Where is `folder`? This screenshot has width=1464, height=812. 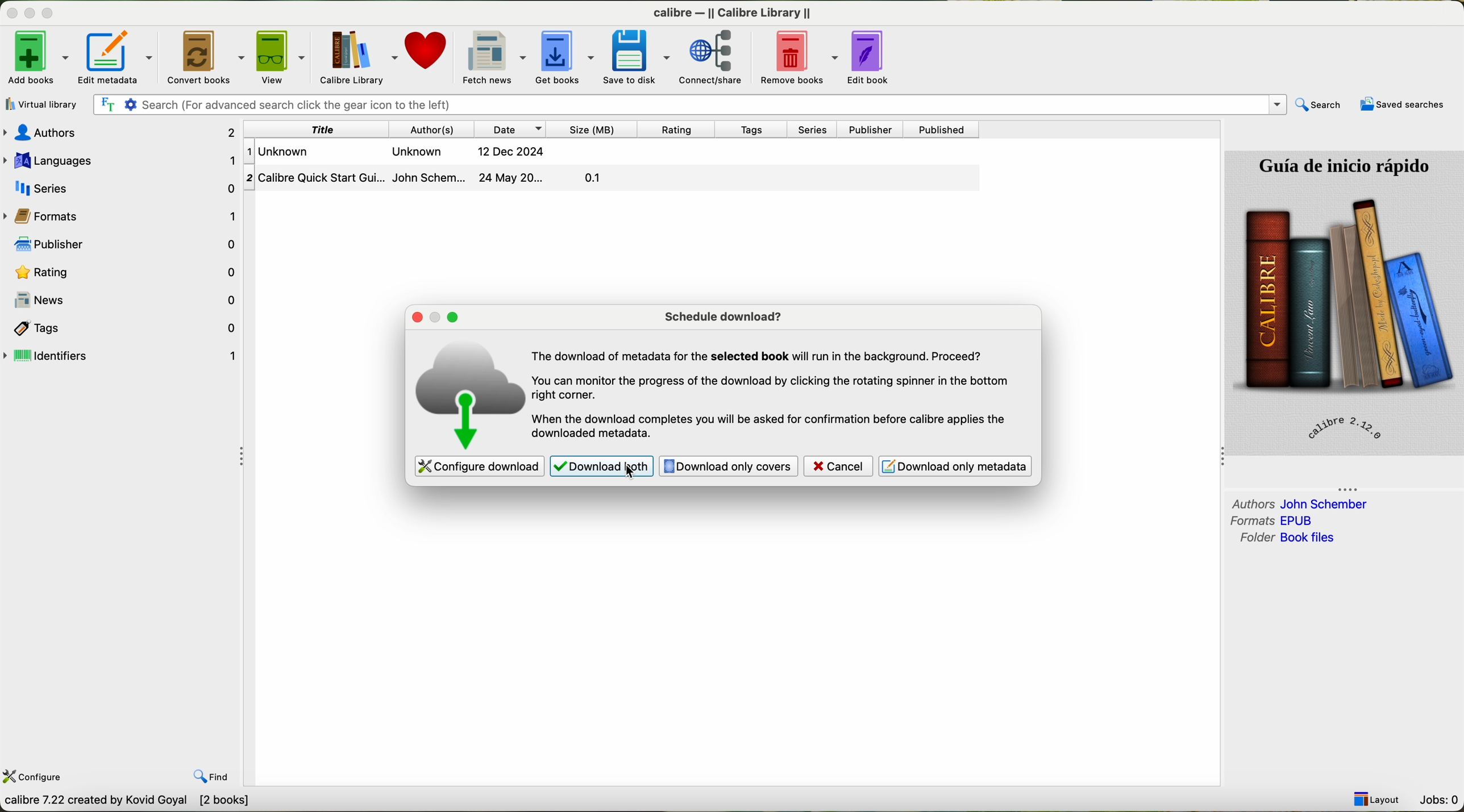 folder is located at coordinates (1286, 539).